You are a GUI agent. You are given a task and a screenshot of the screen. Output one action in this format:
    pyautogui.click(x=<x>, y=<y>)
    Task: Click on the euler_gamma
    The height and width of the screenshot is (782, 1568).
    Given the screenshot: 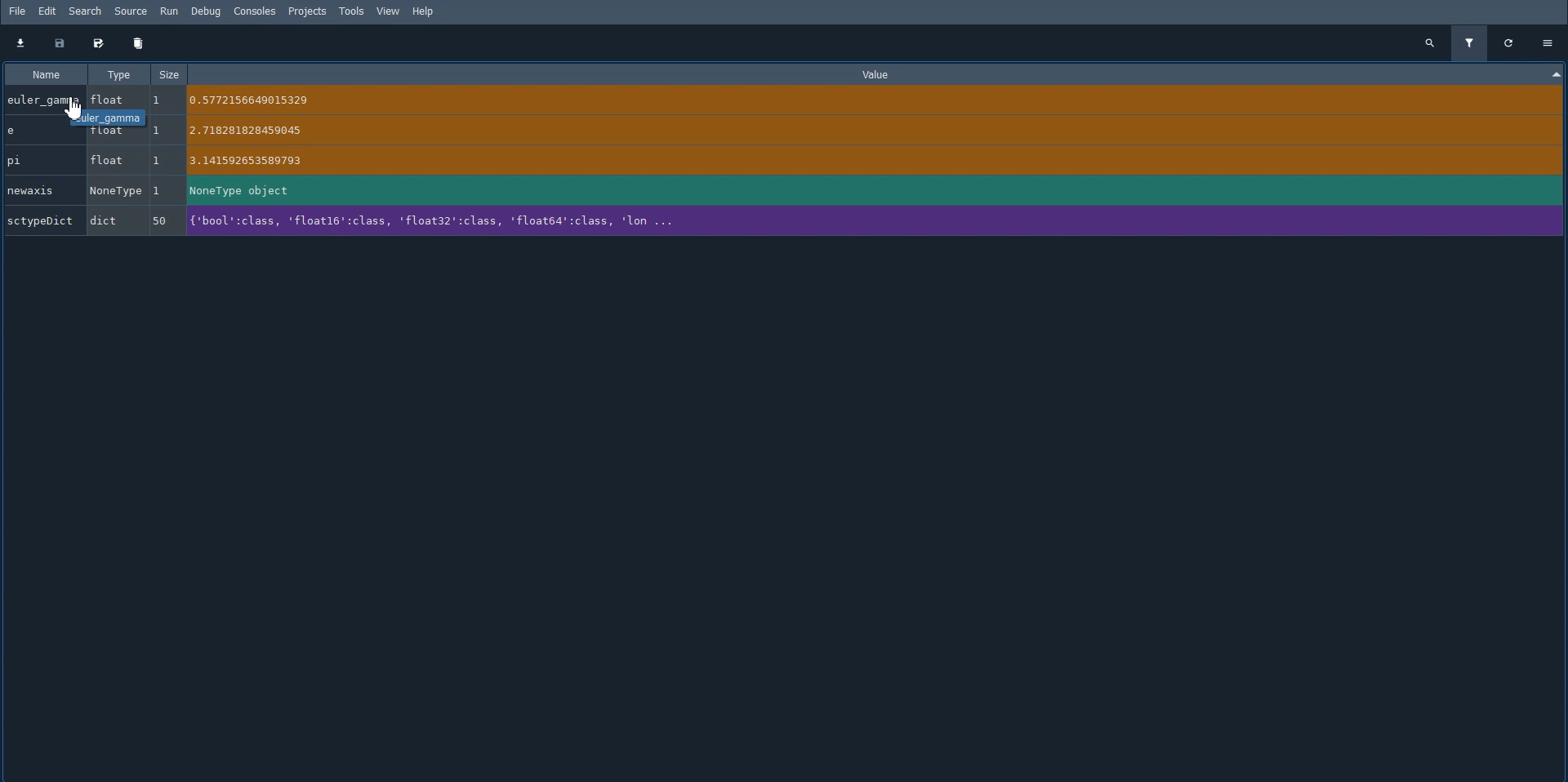 What is the action you would take?
    pyautogui.click(x=110, y=118)
    